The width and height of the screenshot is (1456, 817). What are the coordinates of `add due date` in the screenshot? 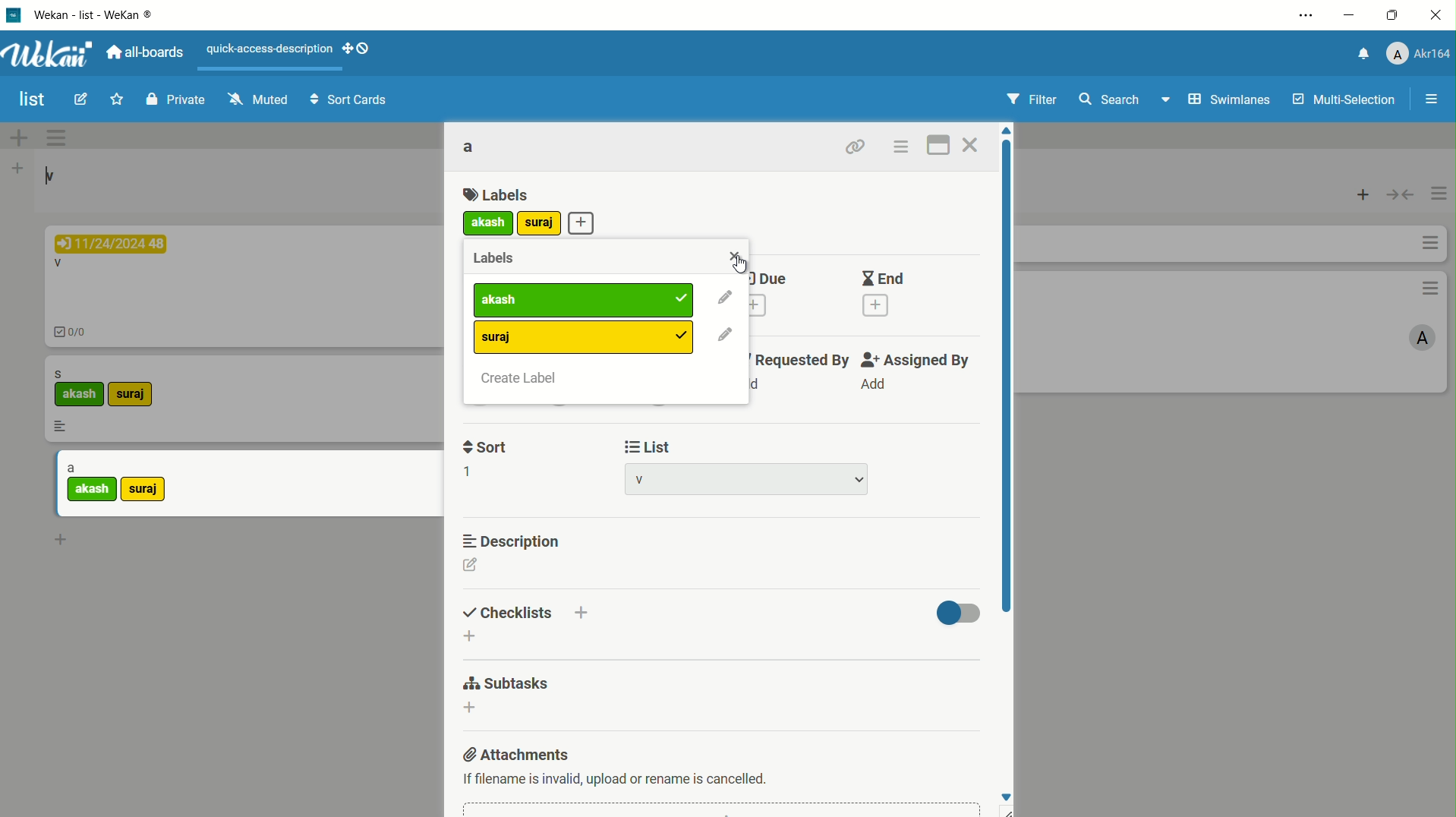 It's located at (756, 304).